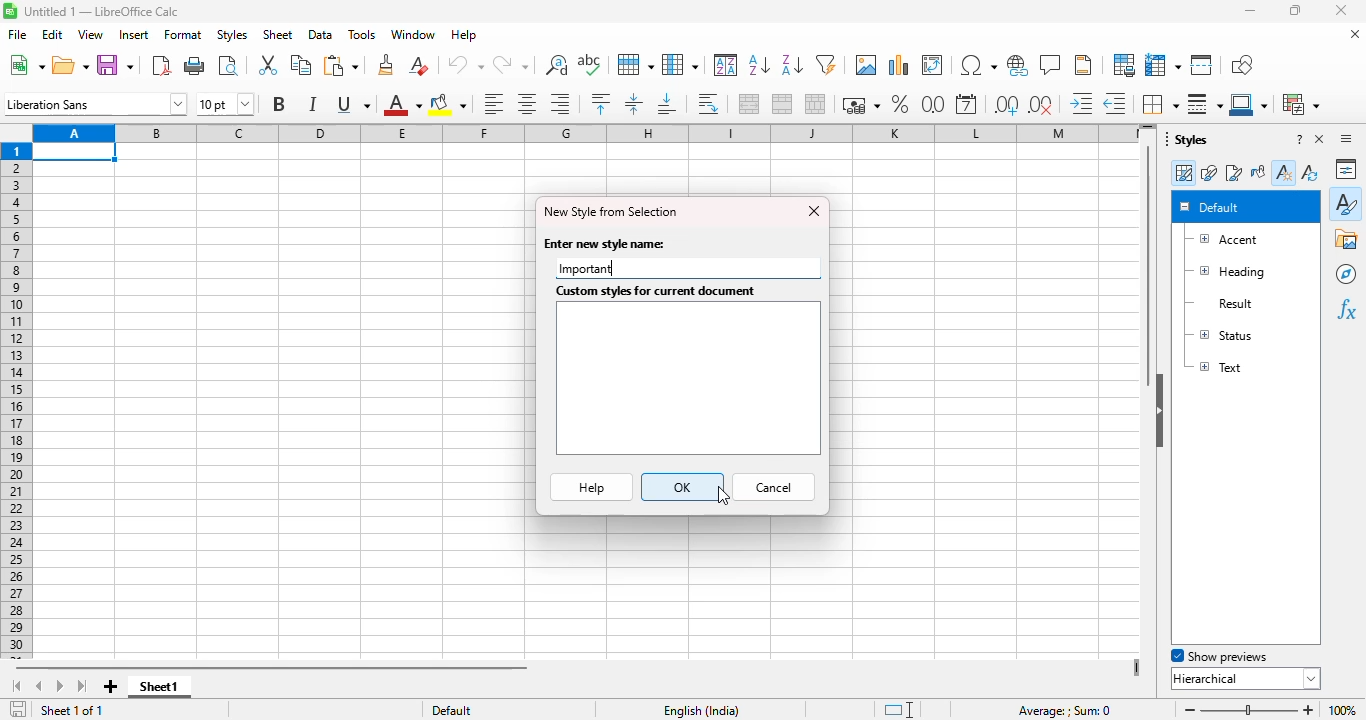 Image resolution: width=1366 pixels, height=720 pixels. Describe the element at coordinates (793, 65) in the screenshot. I see `sort descending` at that location.